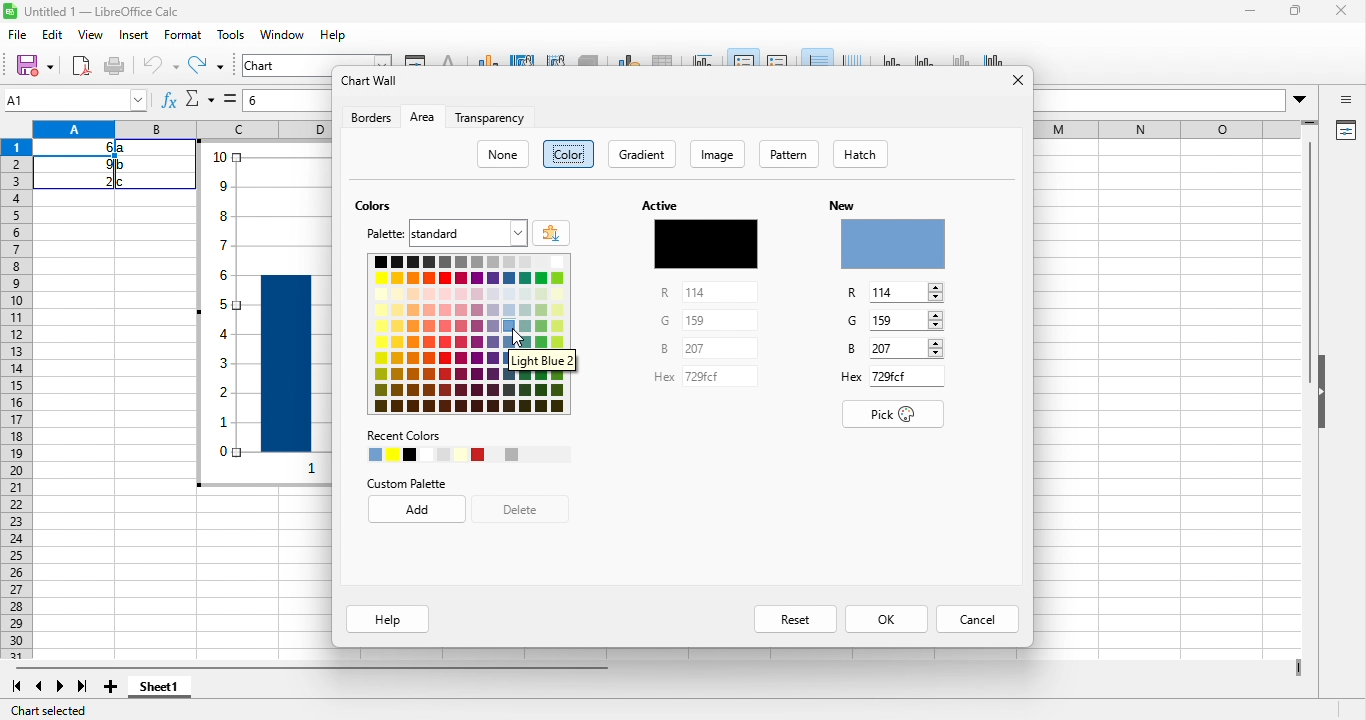 This screenshot has height=720, width=1366. Describe the element at coordinates (643, 154) in the screenshot. I see `gradient` at that location.